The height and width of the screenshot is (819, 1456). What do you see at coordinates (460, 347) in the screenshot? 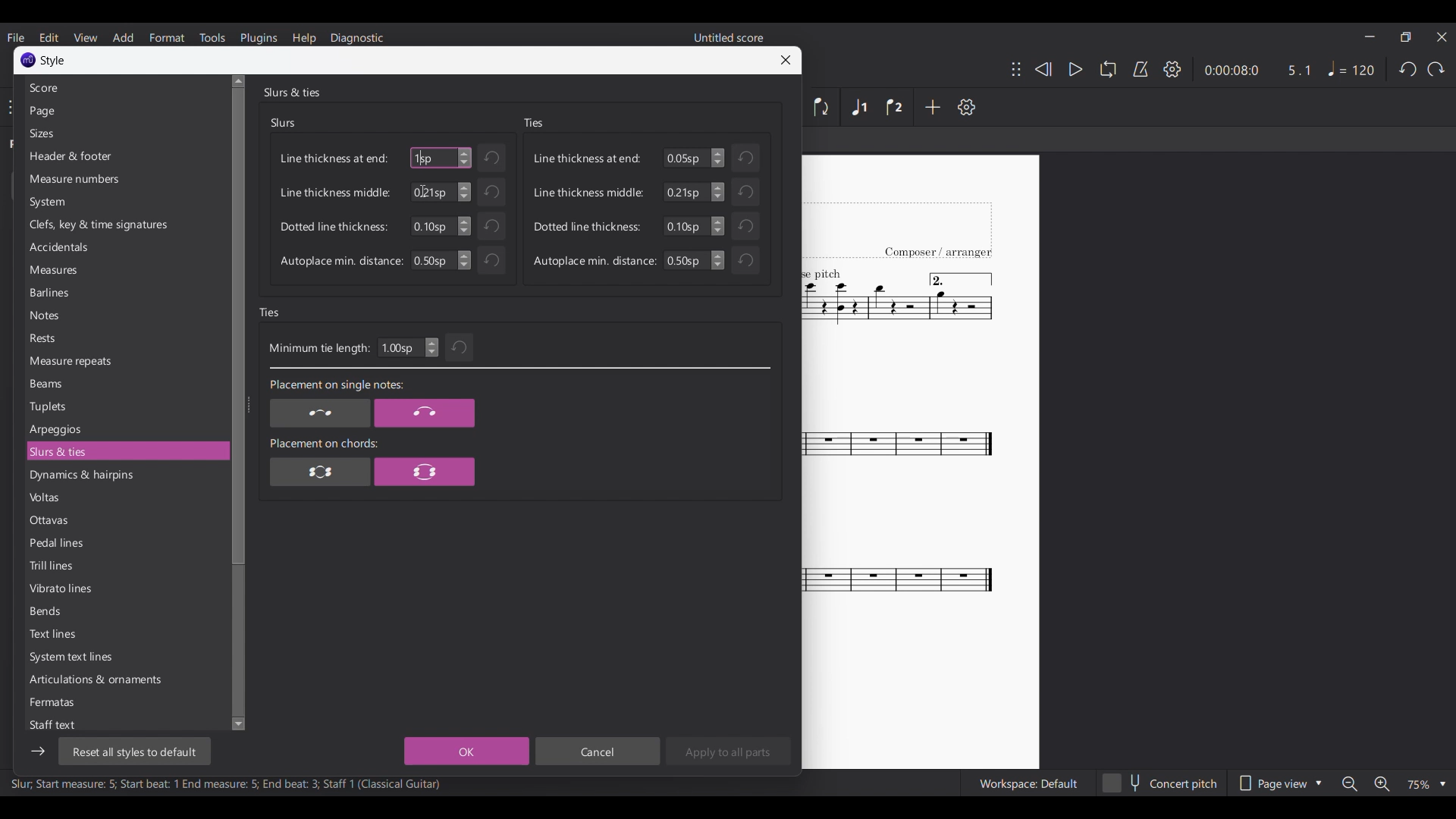
I see `Undo` at bounding box center [460, 347].